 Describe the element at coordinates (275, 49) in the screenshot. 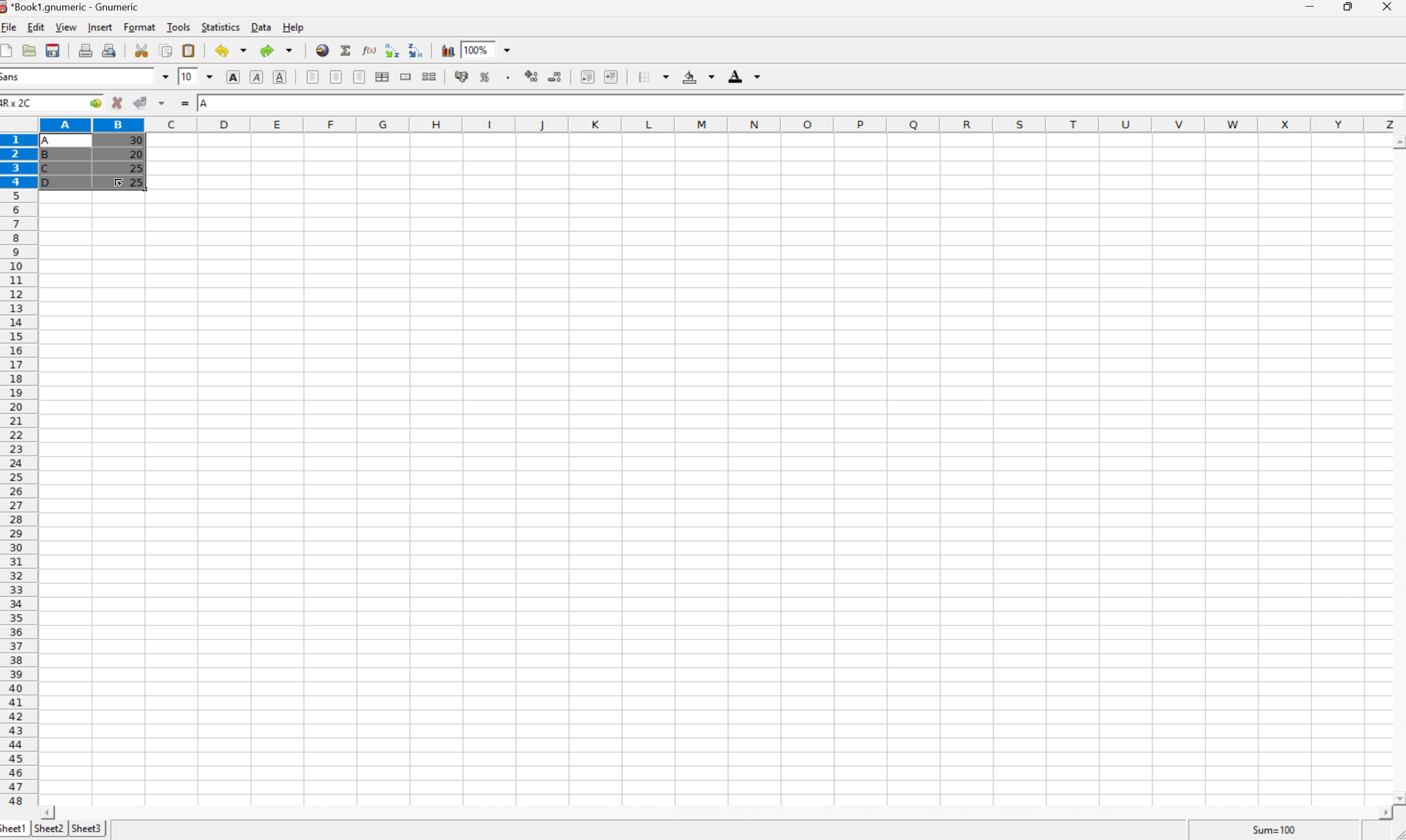

I see `Redo` at that location.